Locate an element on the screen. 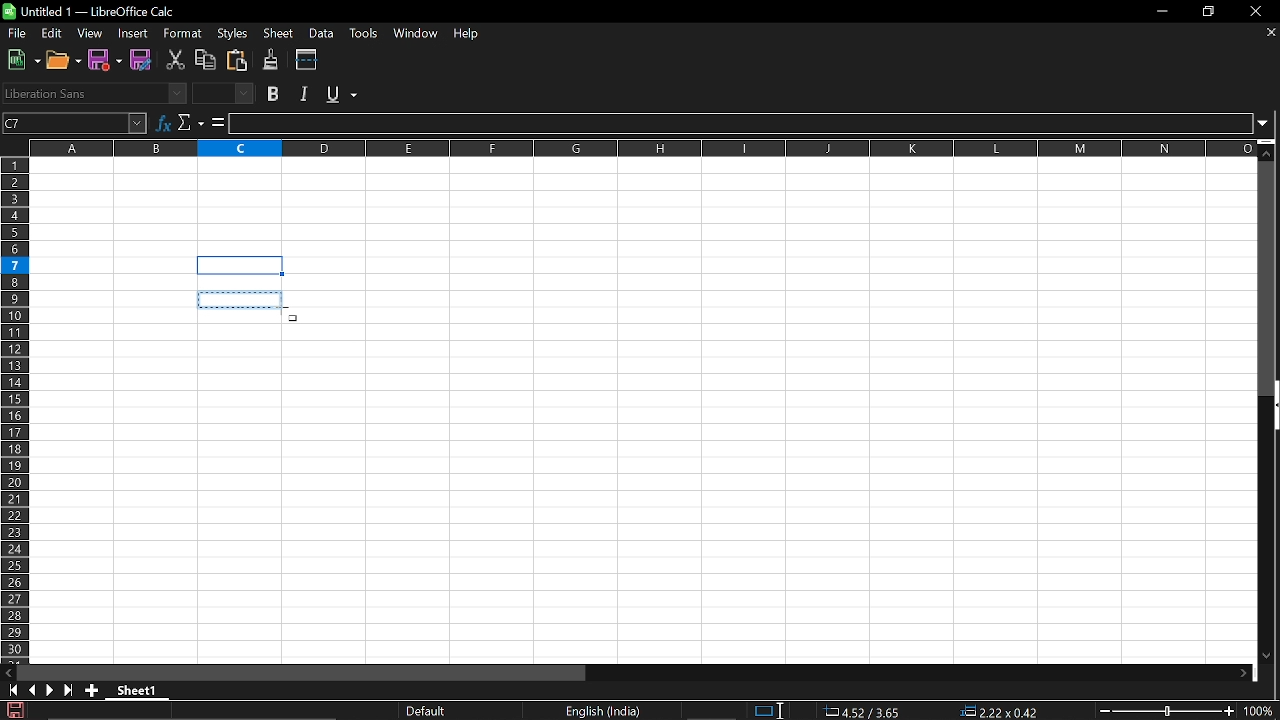 The width and height of the screenshot is (1280, 720). Save is located at coordinates (107, 60).